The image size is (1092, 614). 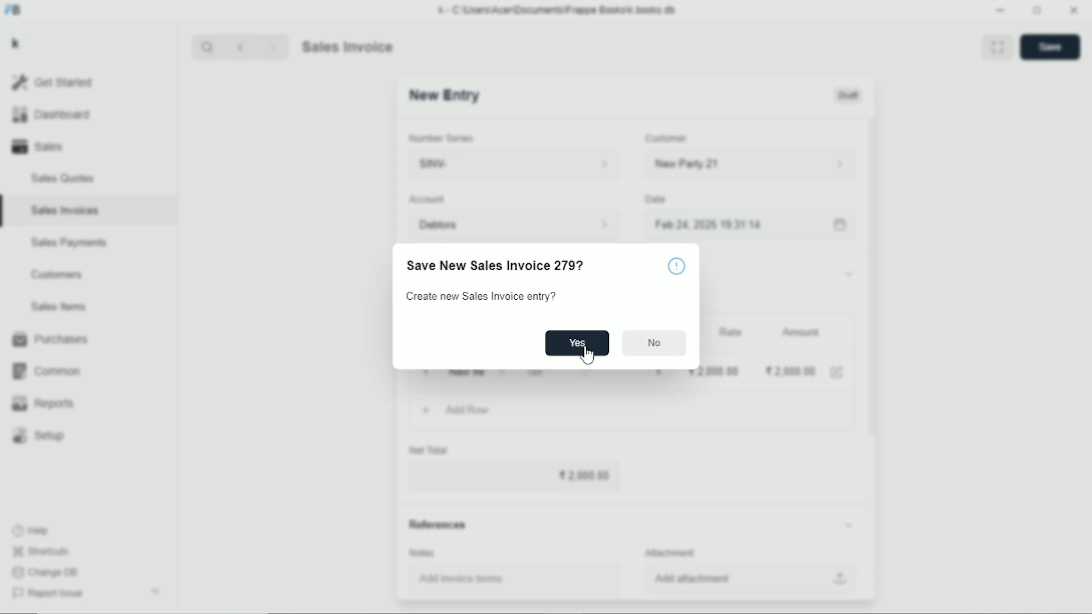 What do you see at coordinates (874, 283) in the screenshot?
I see `Vertical scrollbar` at bounding box center [874, 283].